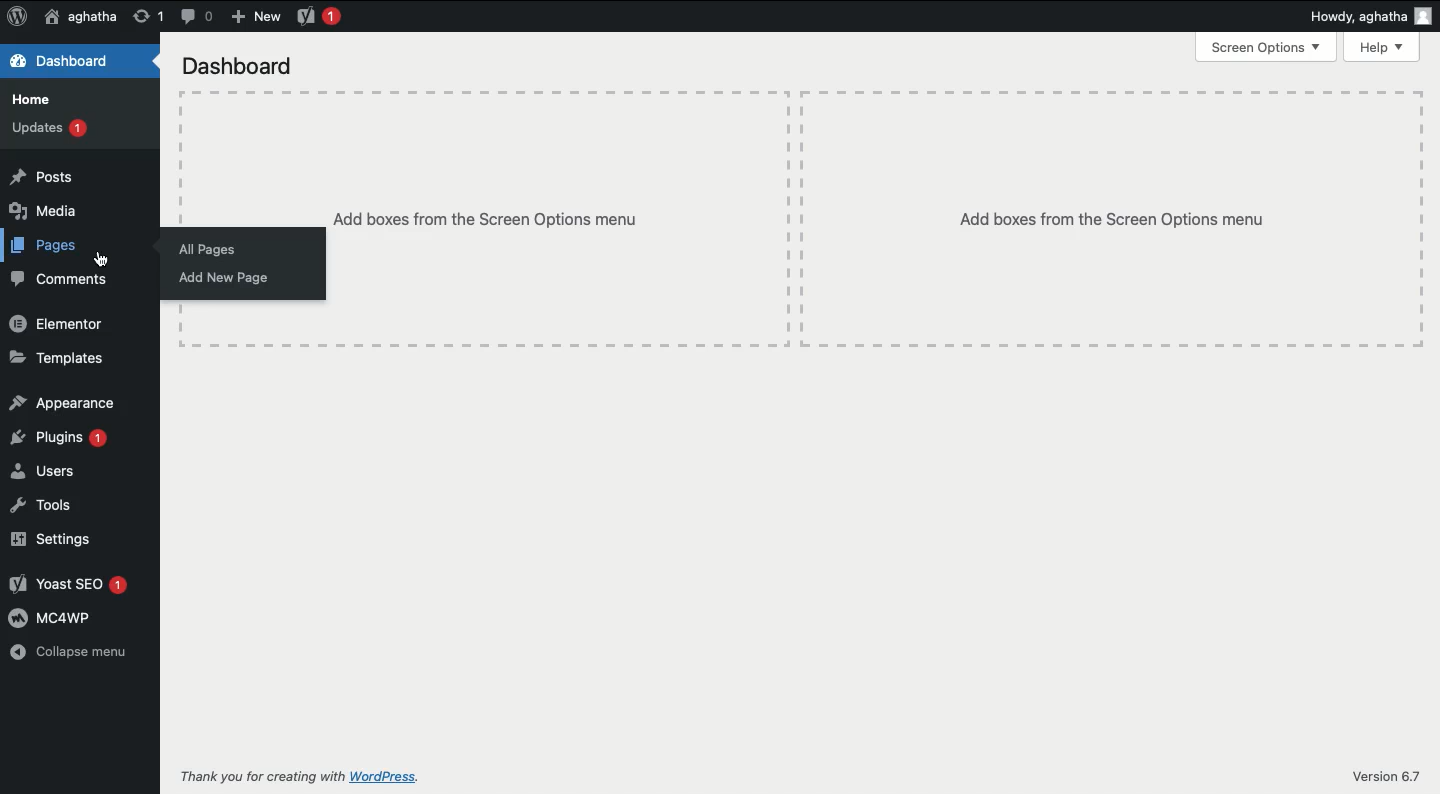  What do you see at coordinates (196, 16) in the screenshot?
I see `Comment` at bounding box center [196, 16].